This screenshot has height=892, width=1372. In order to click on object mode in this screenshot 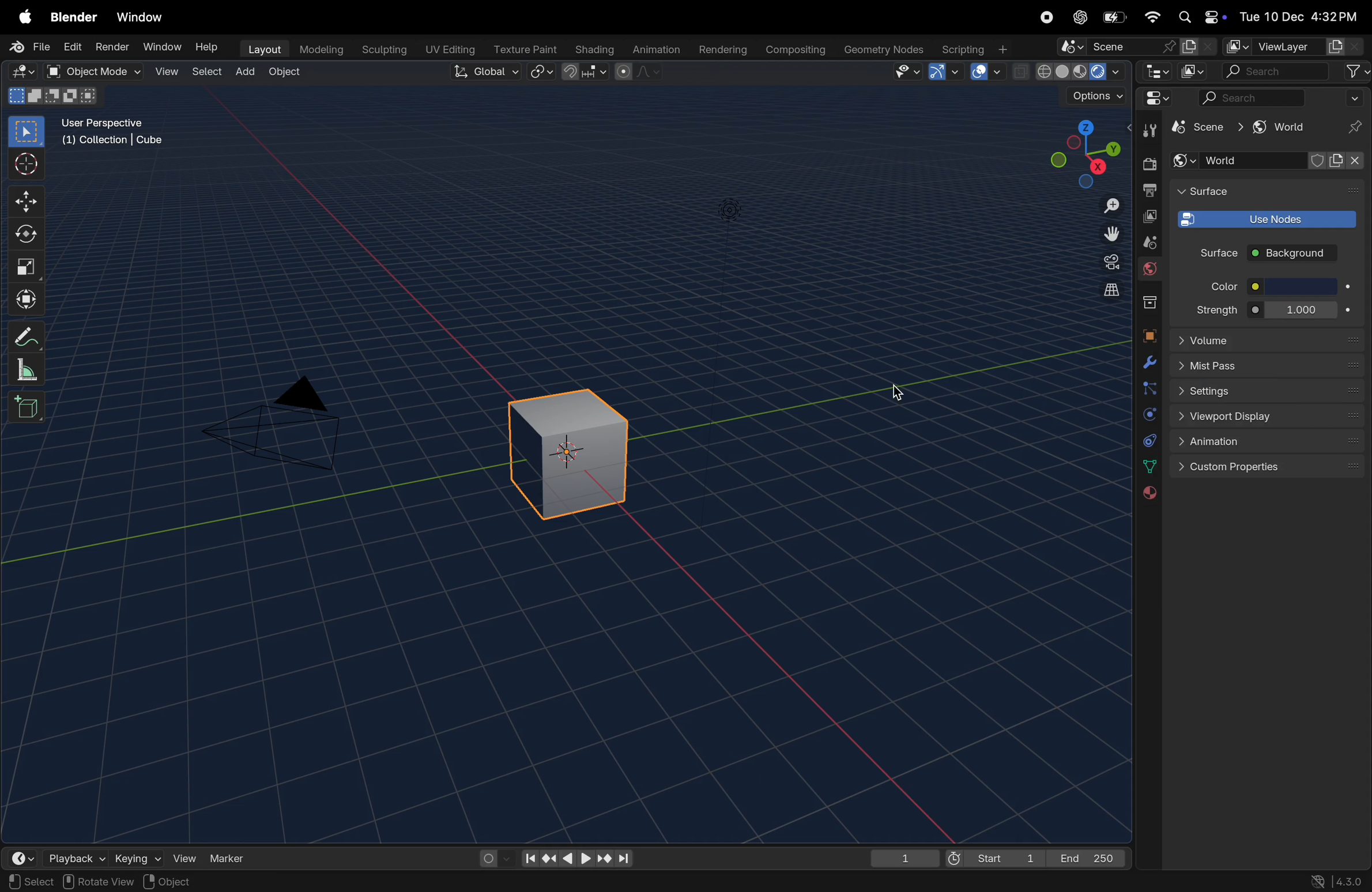, I will do `click(96, 71)`.